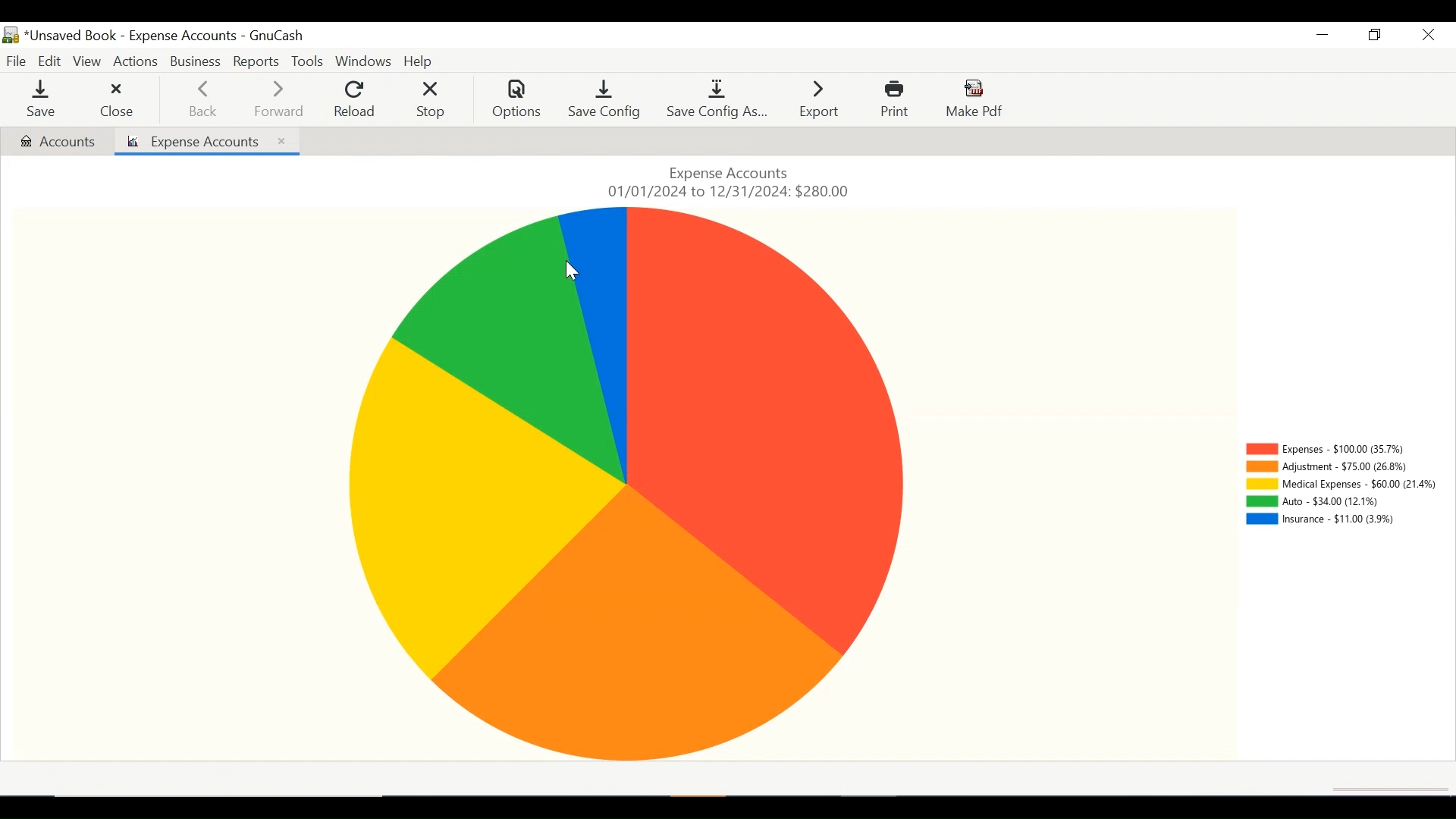  I want to click on Tools, so click(303, 61).